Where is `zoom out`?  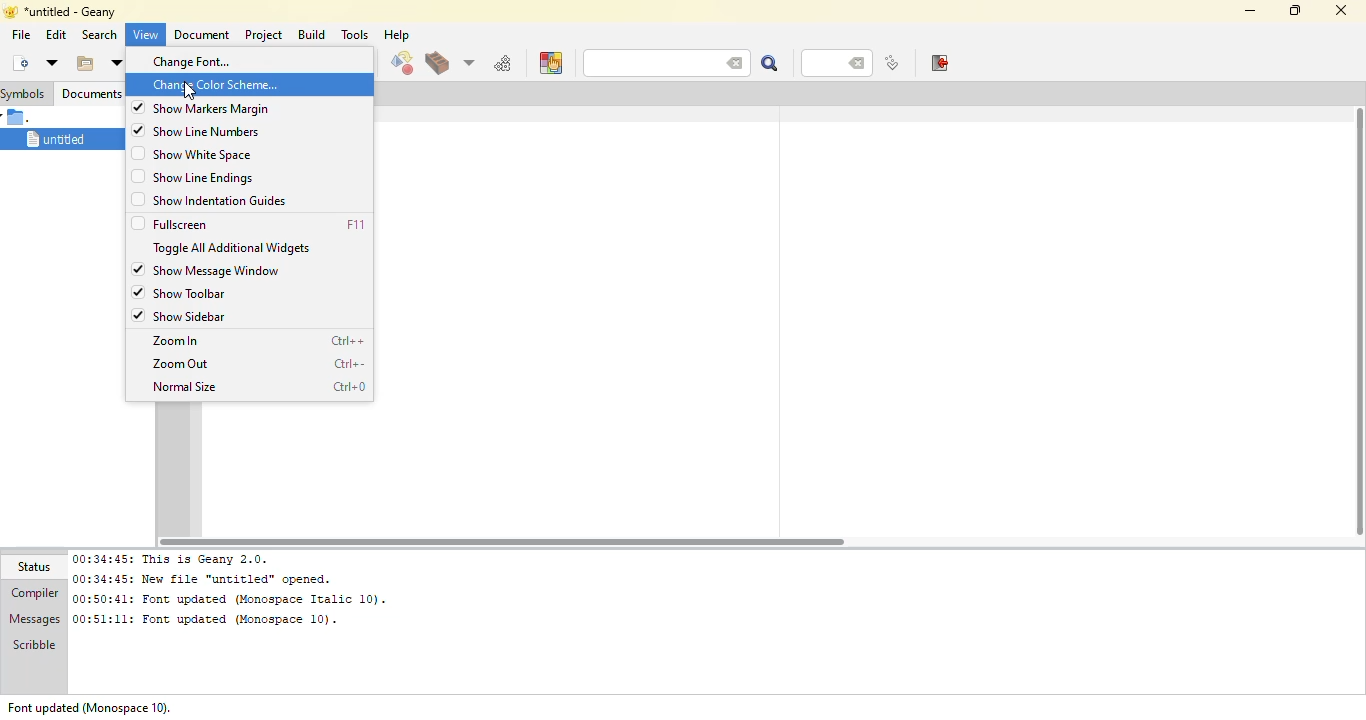
zoom out is located at coordinates (184, 363).